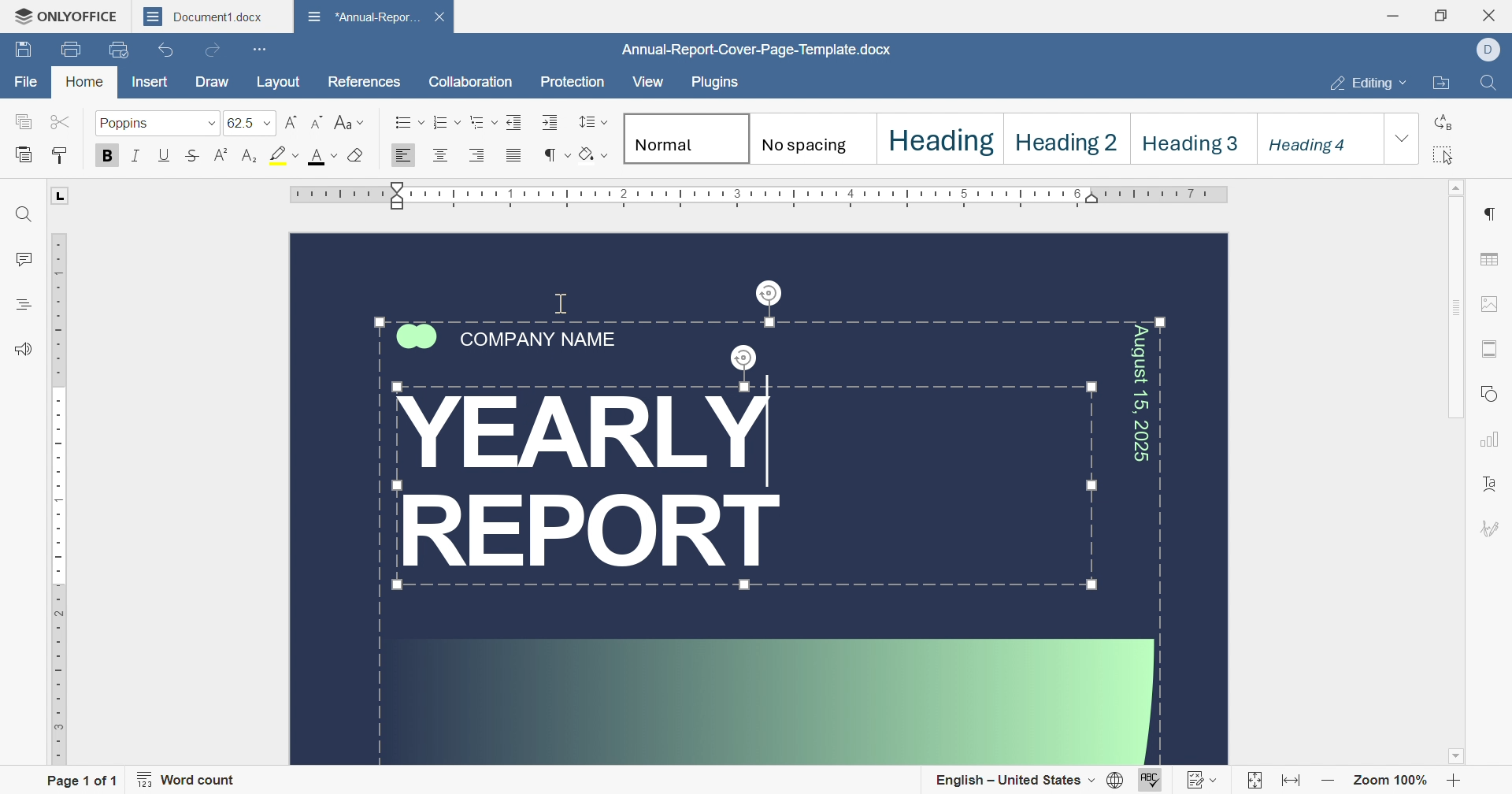  Describe the element at coordinates (439, 155) in the screenshot. I see `align left` at that location.